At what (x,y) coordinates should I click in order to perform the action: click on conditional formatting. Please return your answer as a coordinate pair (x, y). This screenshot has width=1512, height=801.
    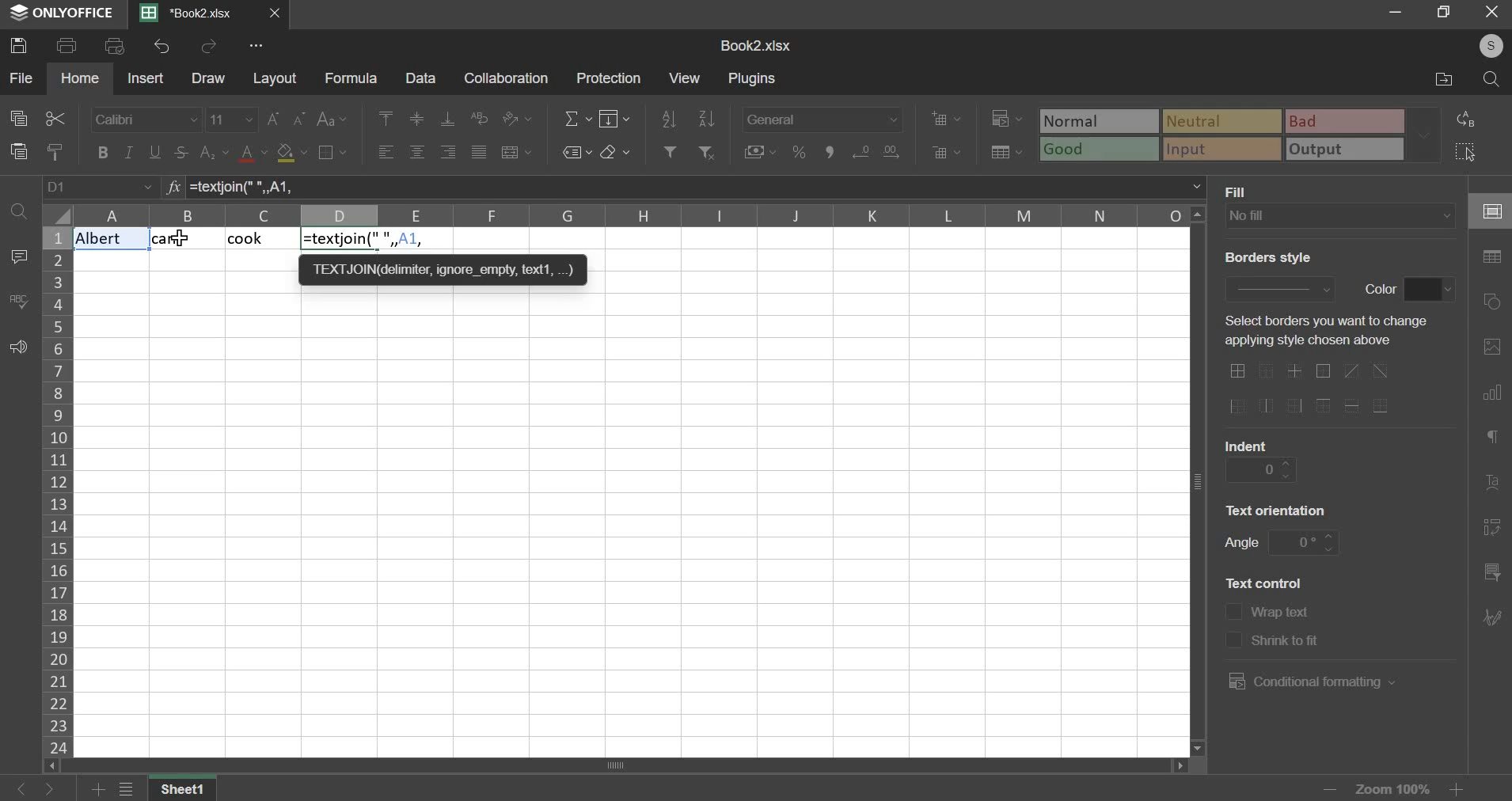
    Looking at the image, I should click on (1005, 120).